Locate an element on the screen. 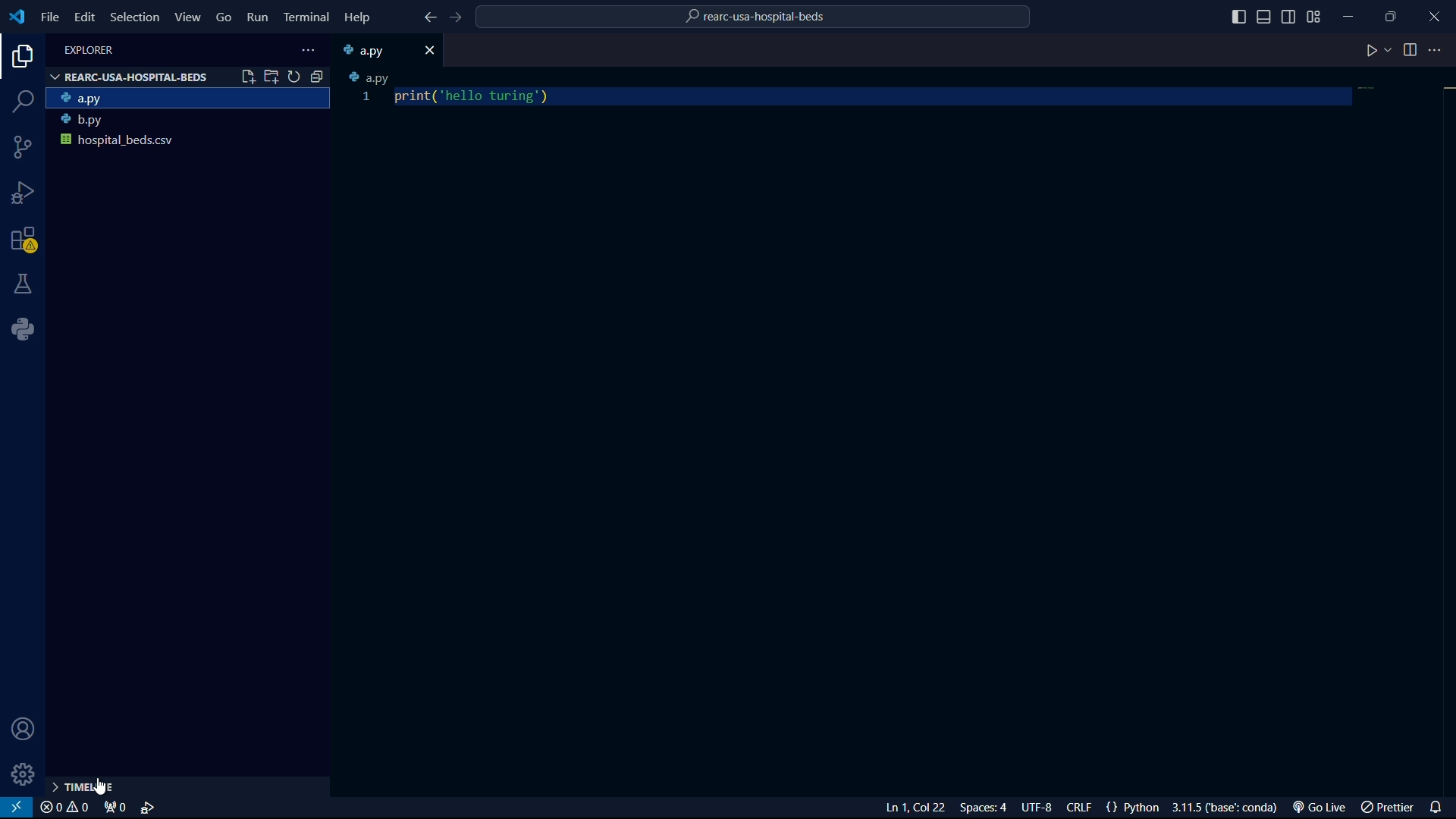 The height and width of the screenshot is (819, 1456). select end line of sequence is located at coordinates (1078, 808).